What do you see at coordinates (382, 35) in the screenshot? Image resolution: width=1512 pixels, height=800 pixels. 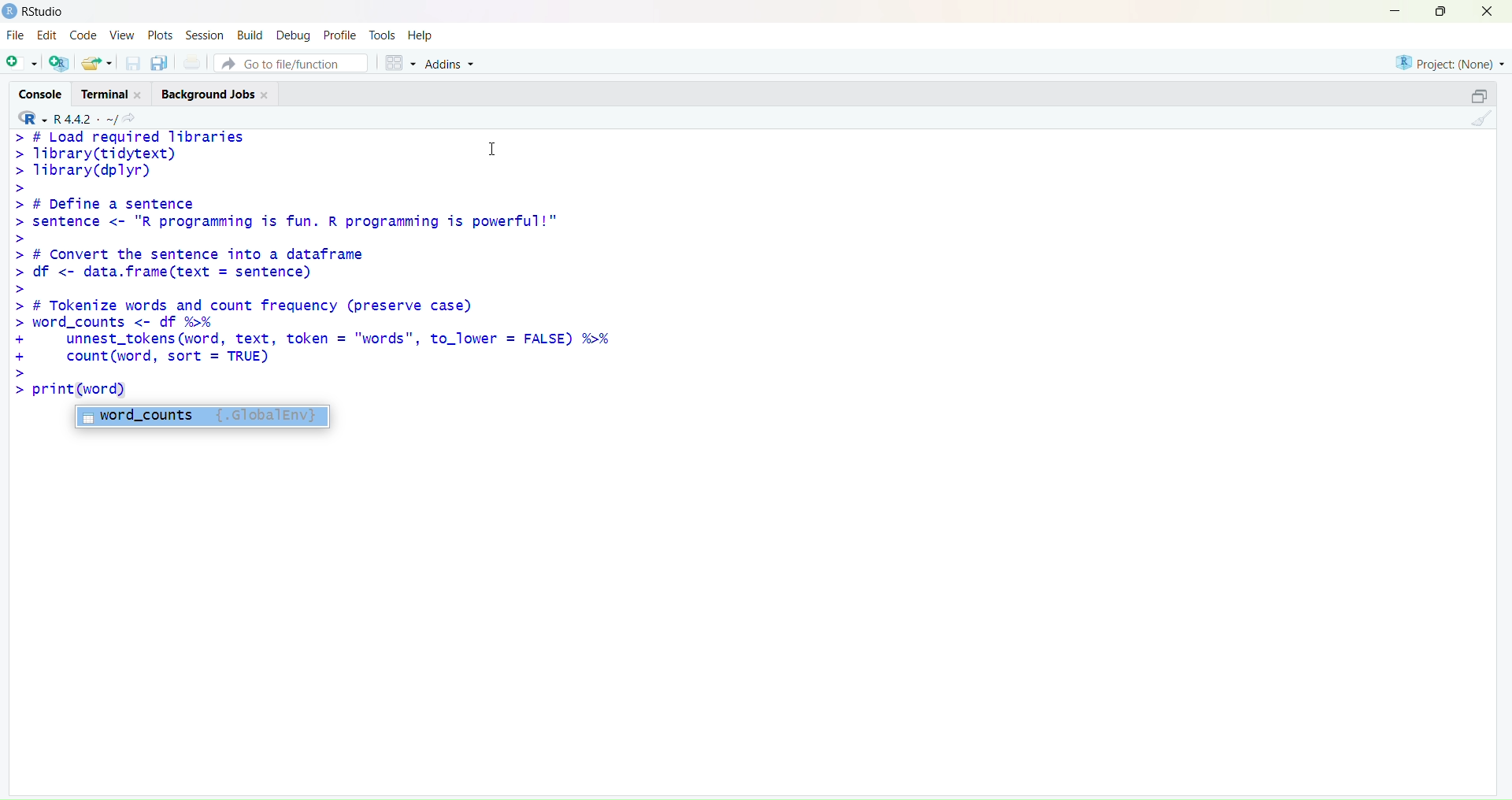 I see `tools` at bounding box center [382, 35].